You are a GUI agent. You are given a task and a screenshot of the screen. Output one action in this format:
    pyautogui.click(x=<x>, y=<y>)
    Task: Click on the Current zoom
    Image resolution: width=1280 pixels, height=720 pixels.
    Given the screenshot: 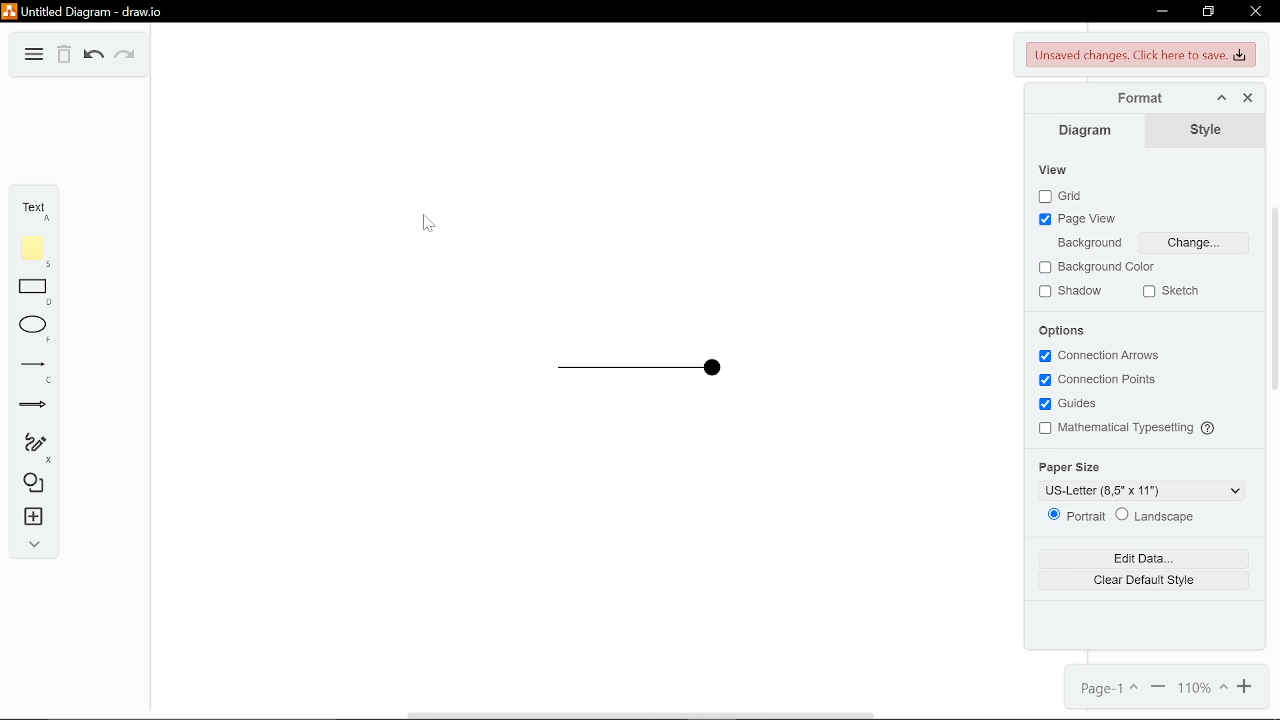 What is the action you would take?
    pyautogui.click(x=1205, y=688)
    